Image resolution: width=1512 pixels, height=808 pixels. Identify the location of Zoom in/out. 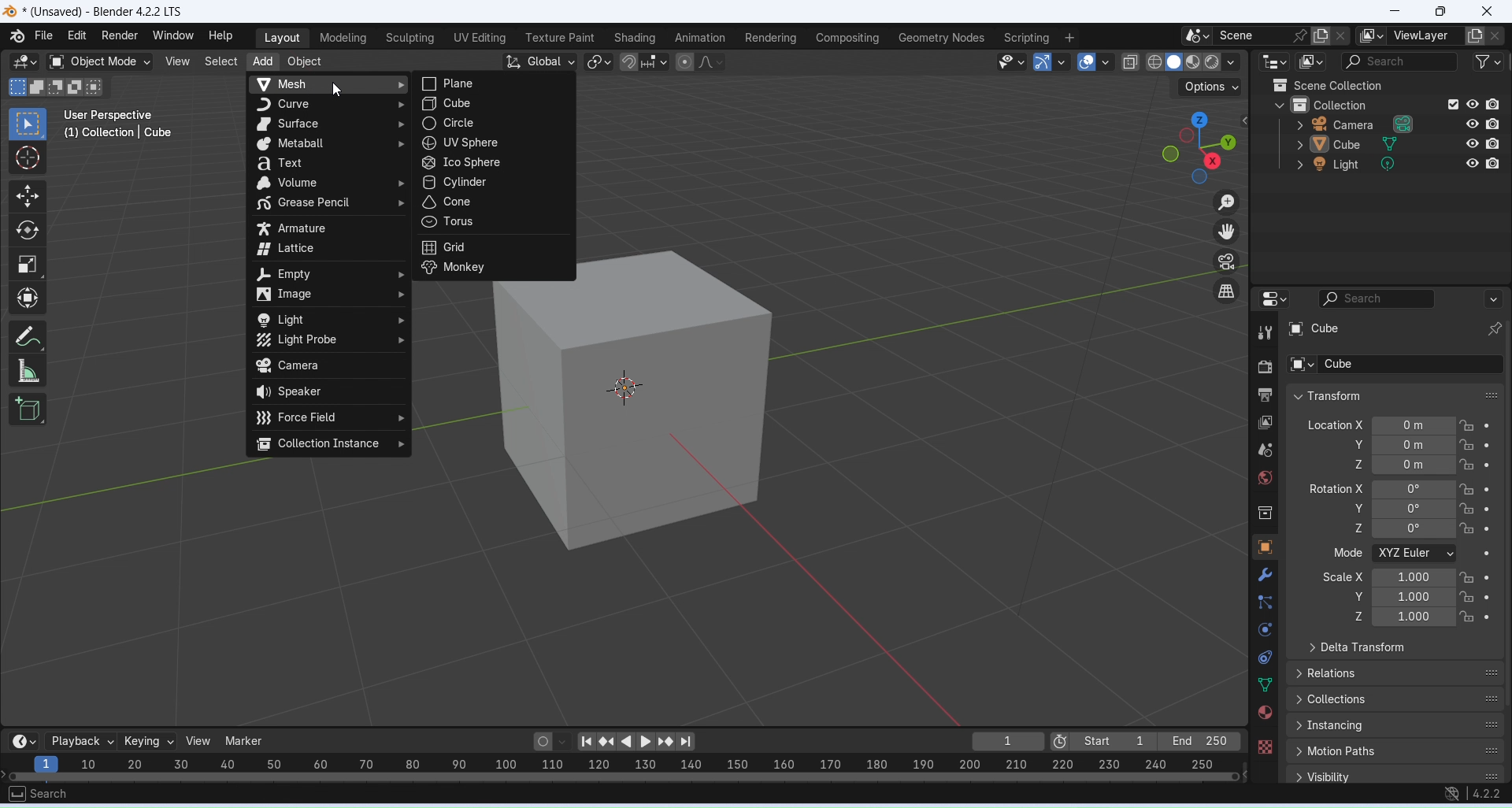
(1227, 201).